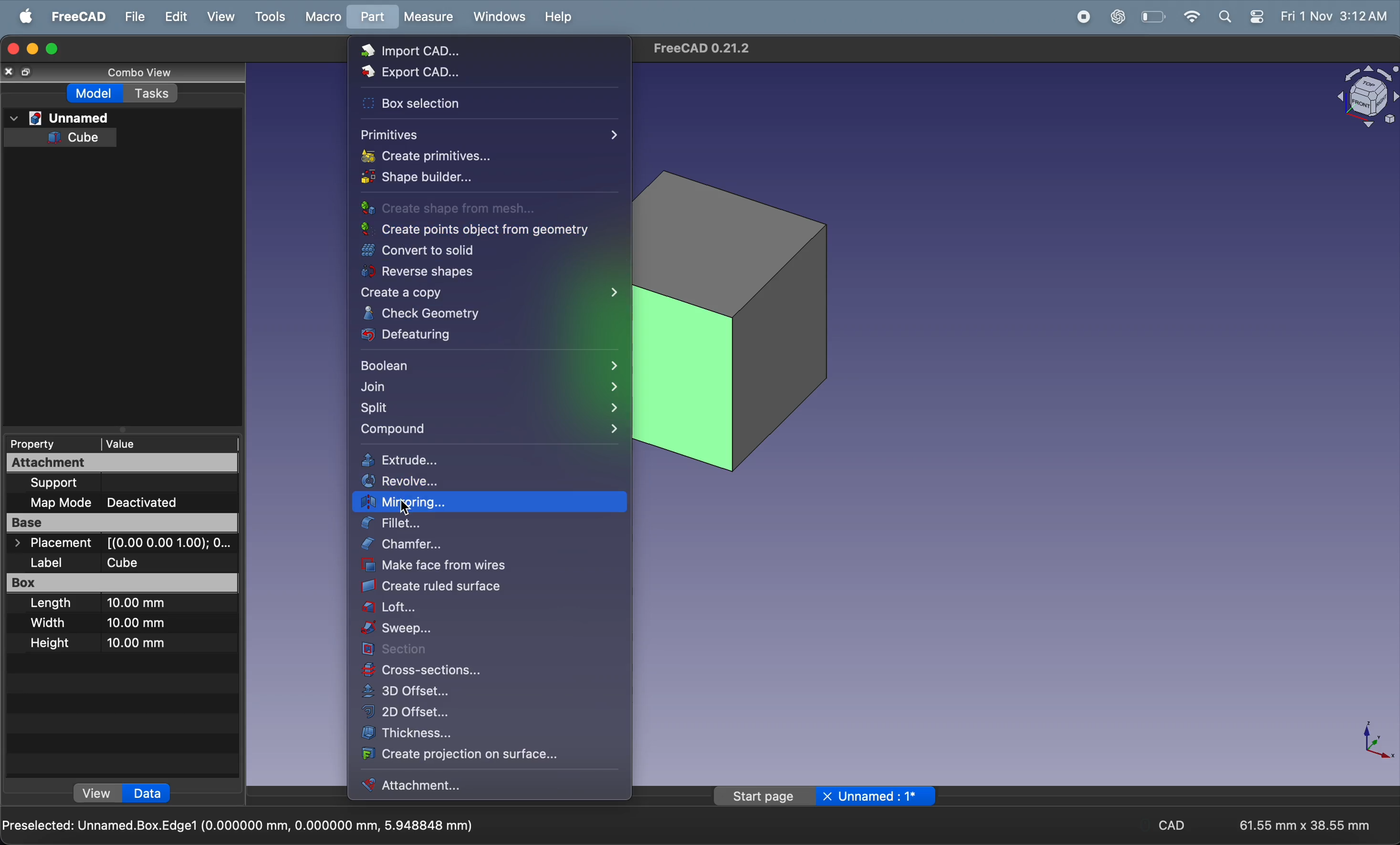  What do you see at coordinates (77, 16) in the screenshot?
I see `freecad` at bounding box center [77, 16].